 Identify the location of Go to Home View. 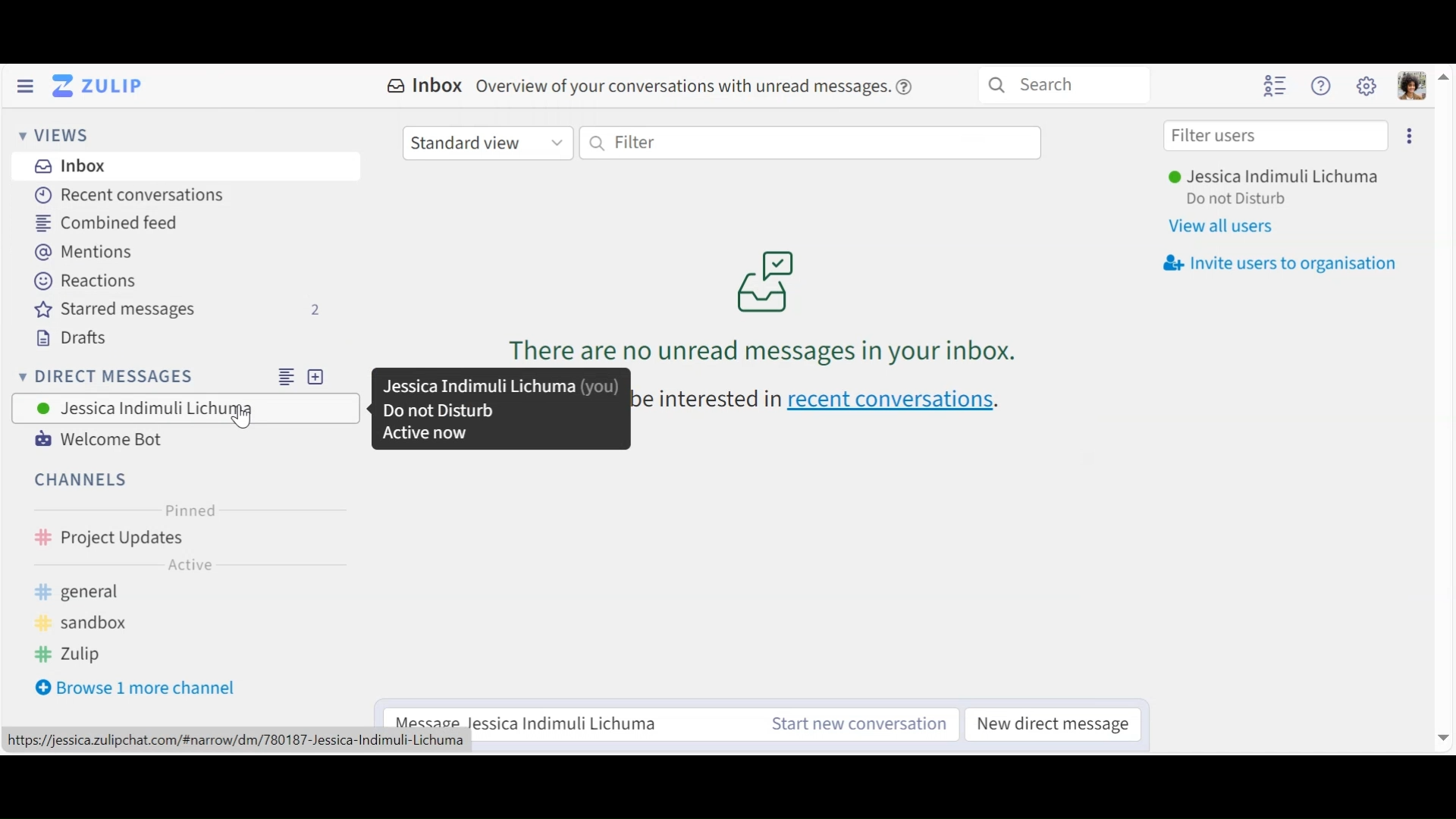
(94, 86).